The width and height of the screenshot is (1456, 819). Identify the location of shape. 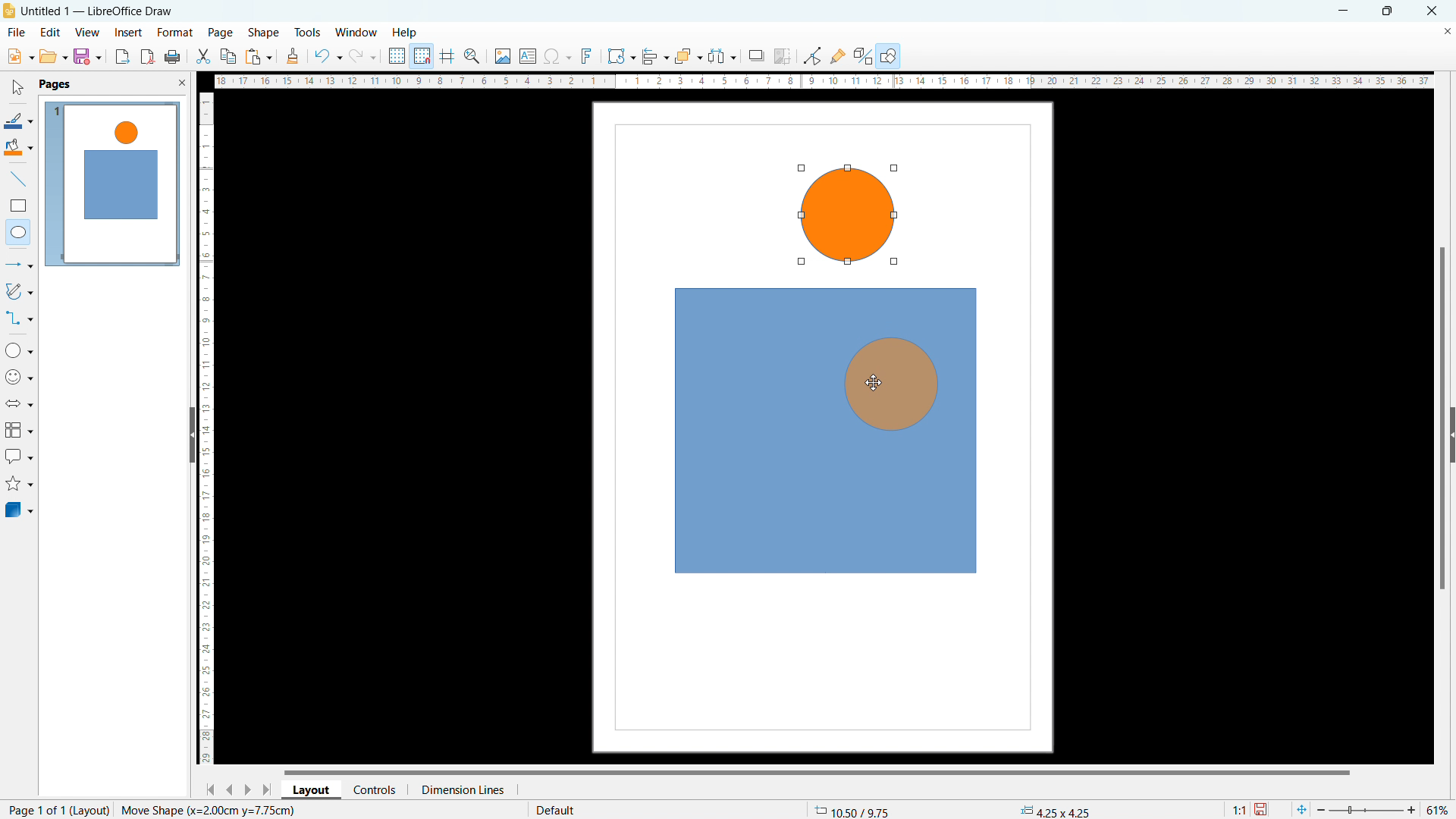
(264, 33).